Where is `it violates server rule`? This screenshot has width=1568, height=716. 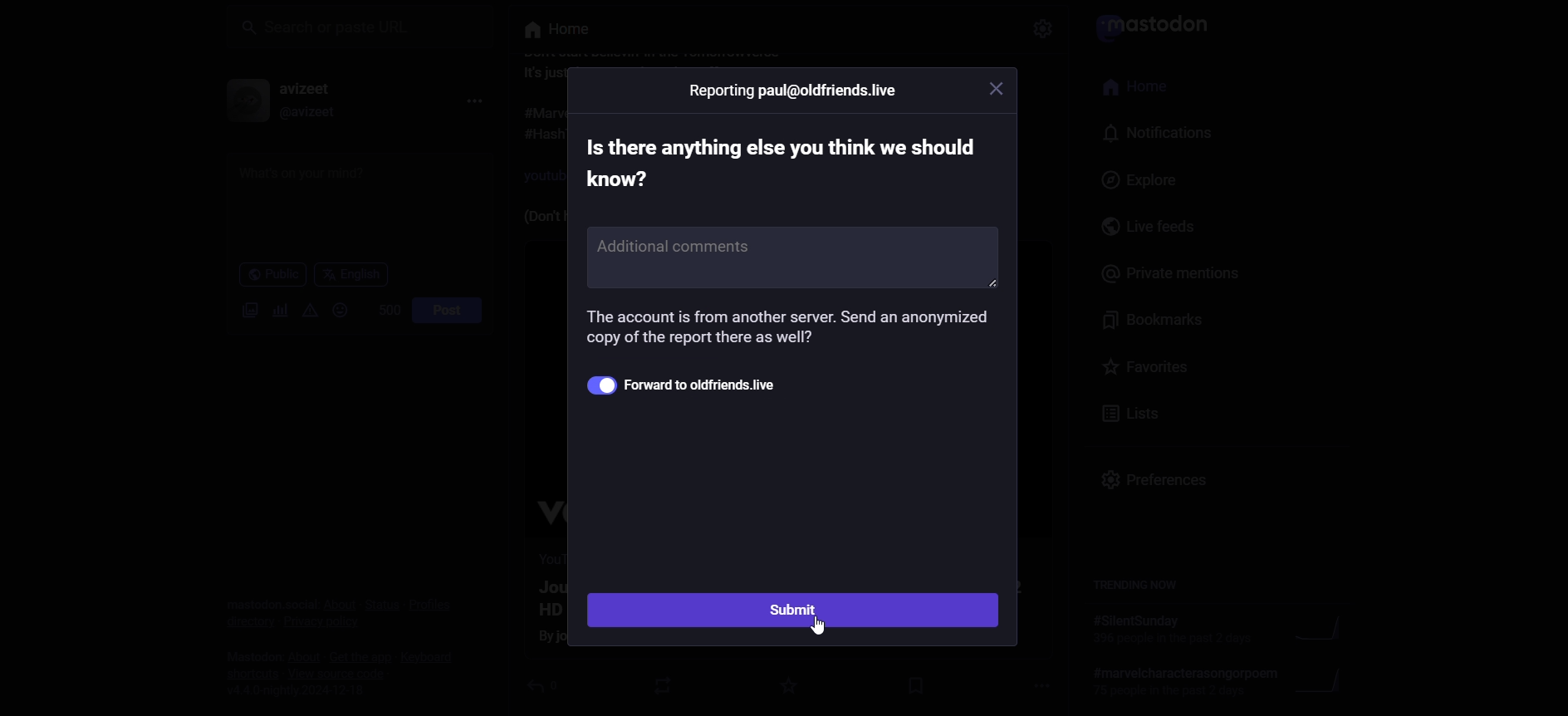
it violates server rule is located at coordinates (1159, 22).